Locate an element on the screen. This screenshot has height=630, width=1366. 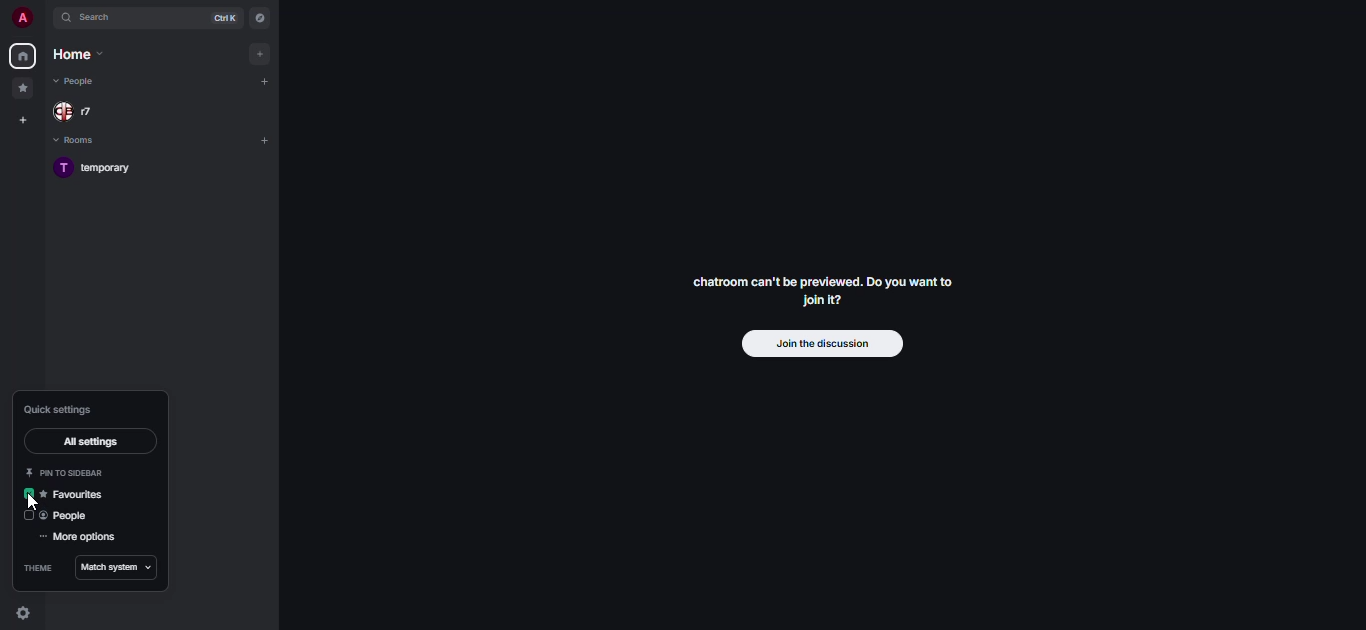
theme is located at coordinates (37, 568).